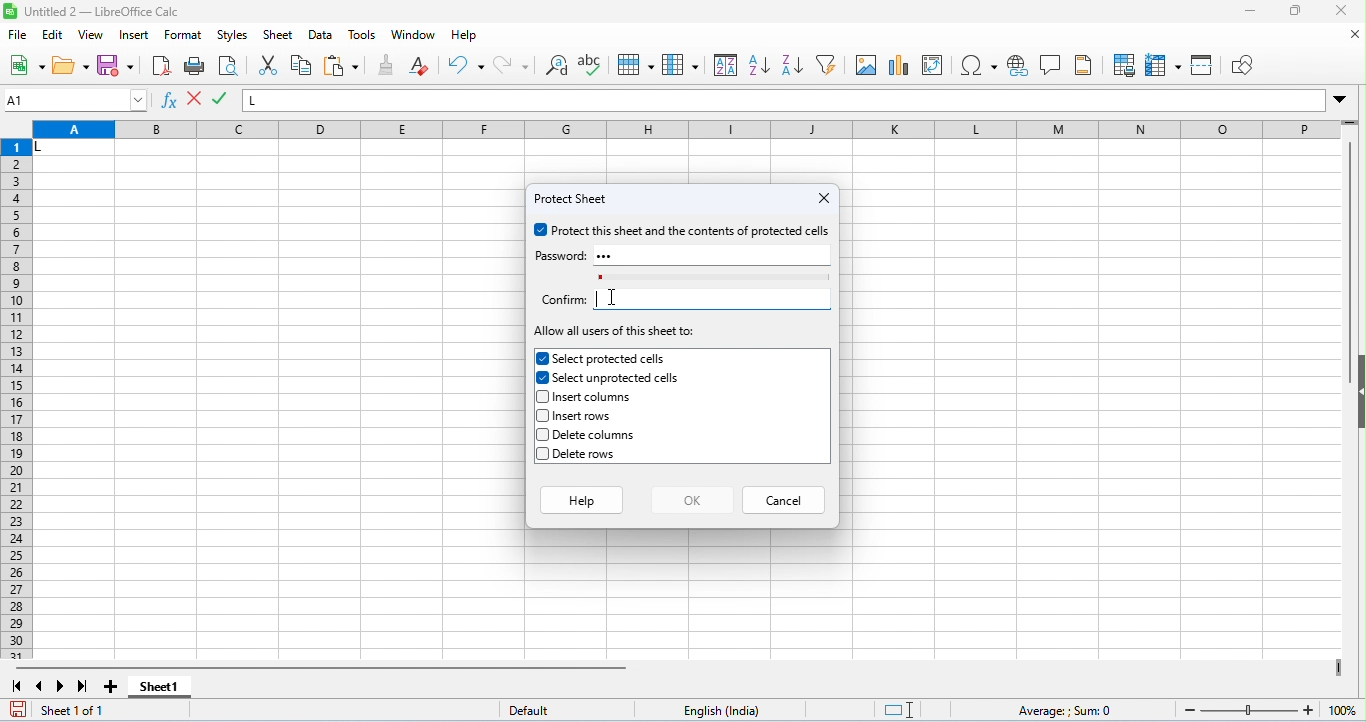  Describe the element at coordinates (195, 67) in the screenshot. I see `print` at that location.